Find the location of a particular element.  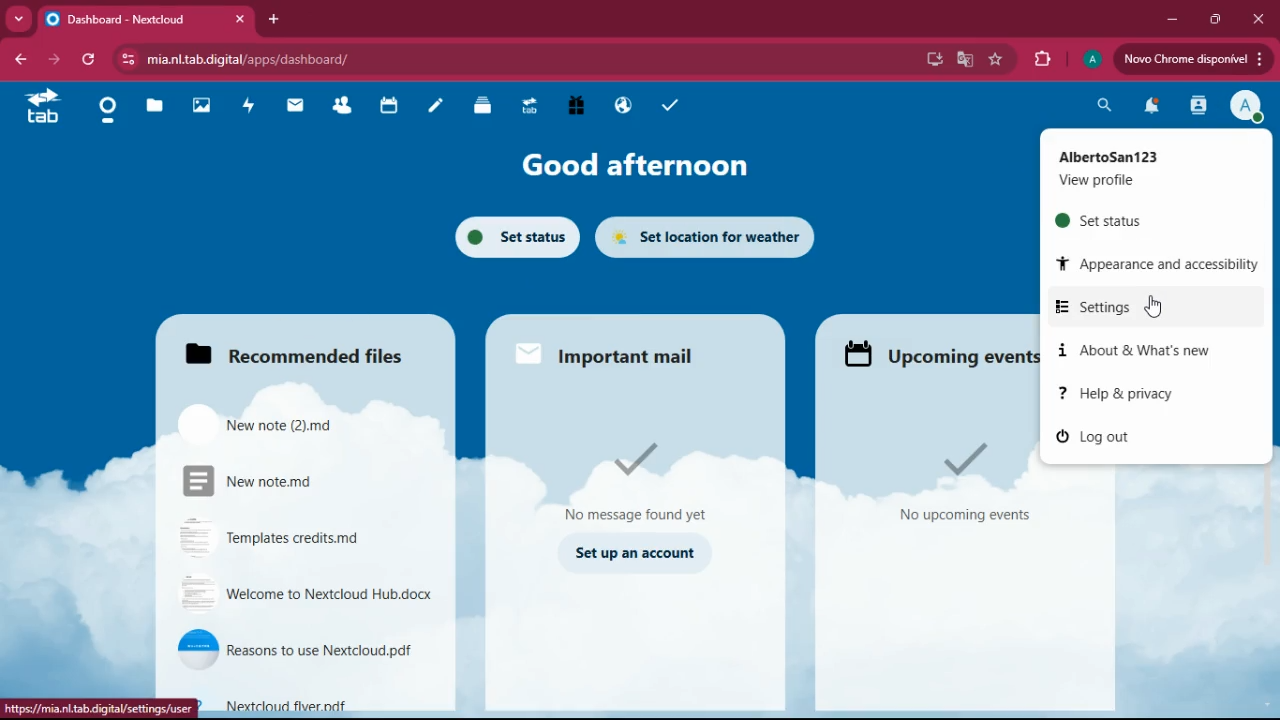

notifications is located at coordinates (1149, 109).